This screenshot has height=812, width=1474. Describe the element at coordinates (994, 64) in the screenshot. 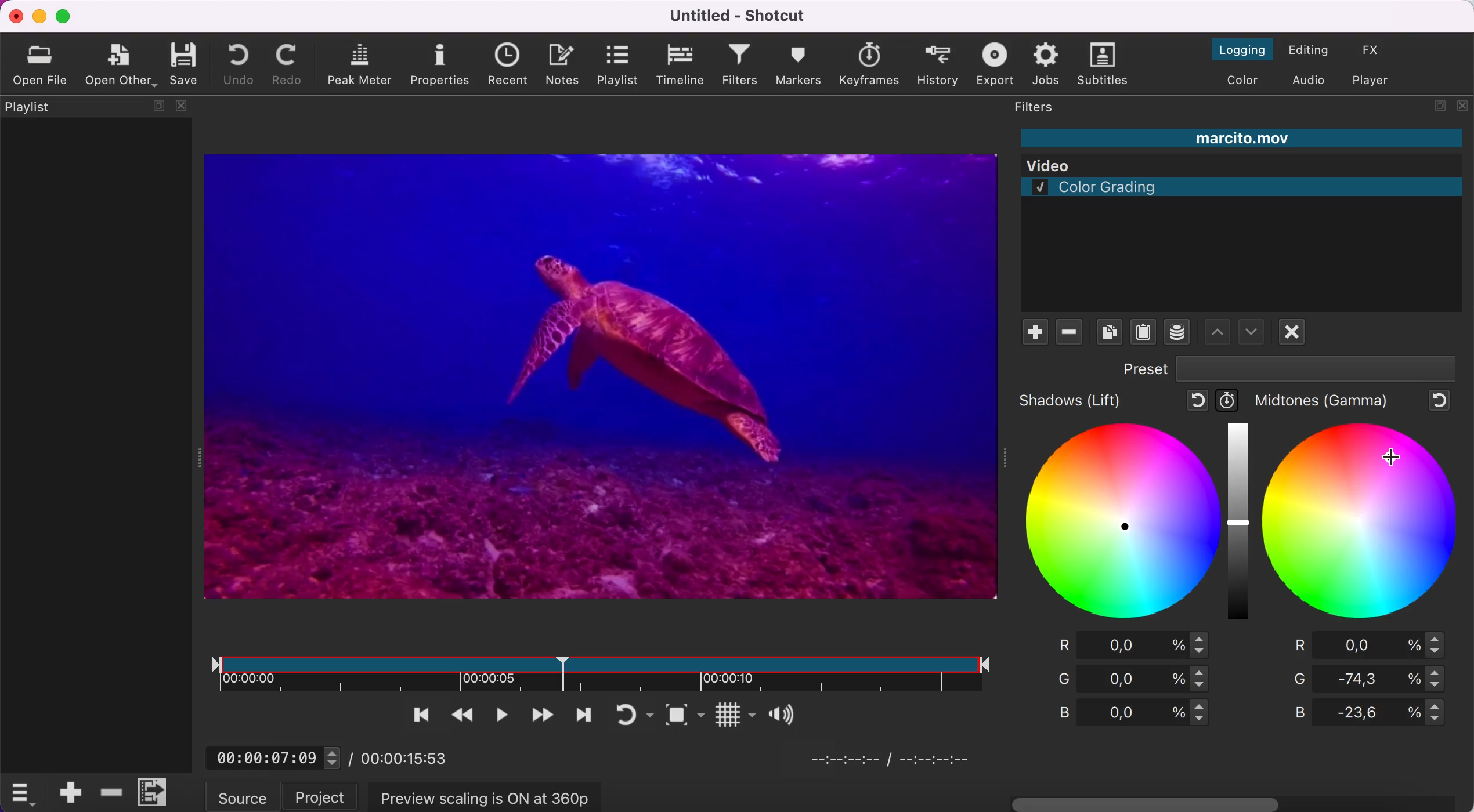

I see `export` at that location.